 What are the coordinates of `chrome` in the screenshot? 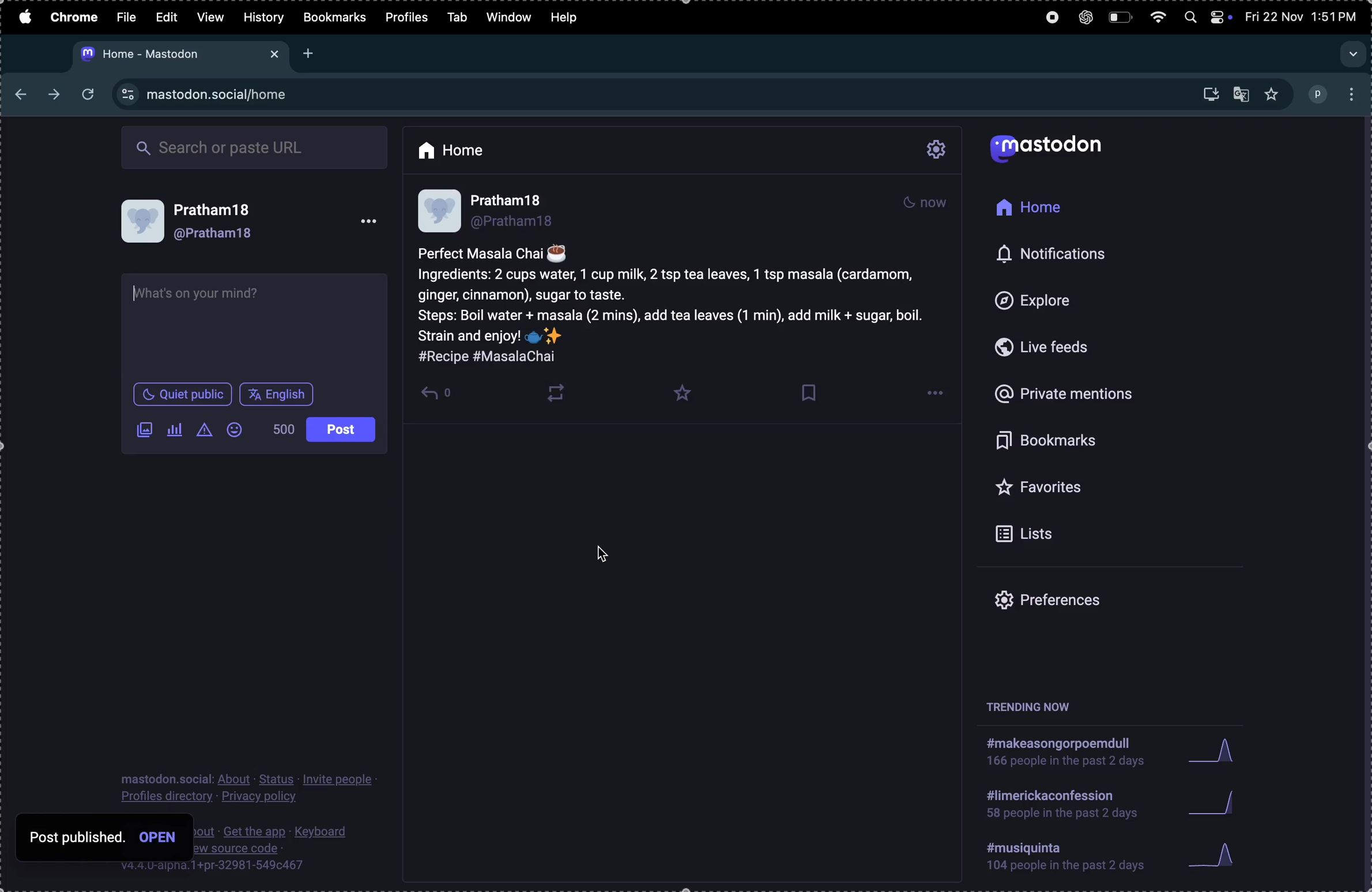 It's located at (72, 17).